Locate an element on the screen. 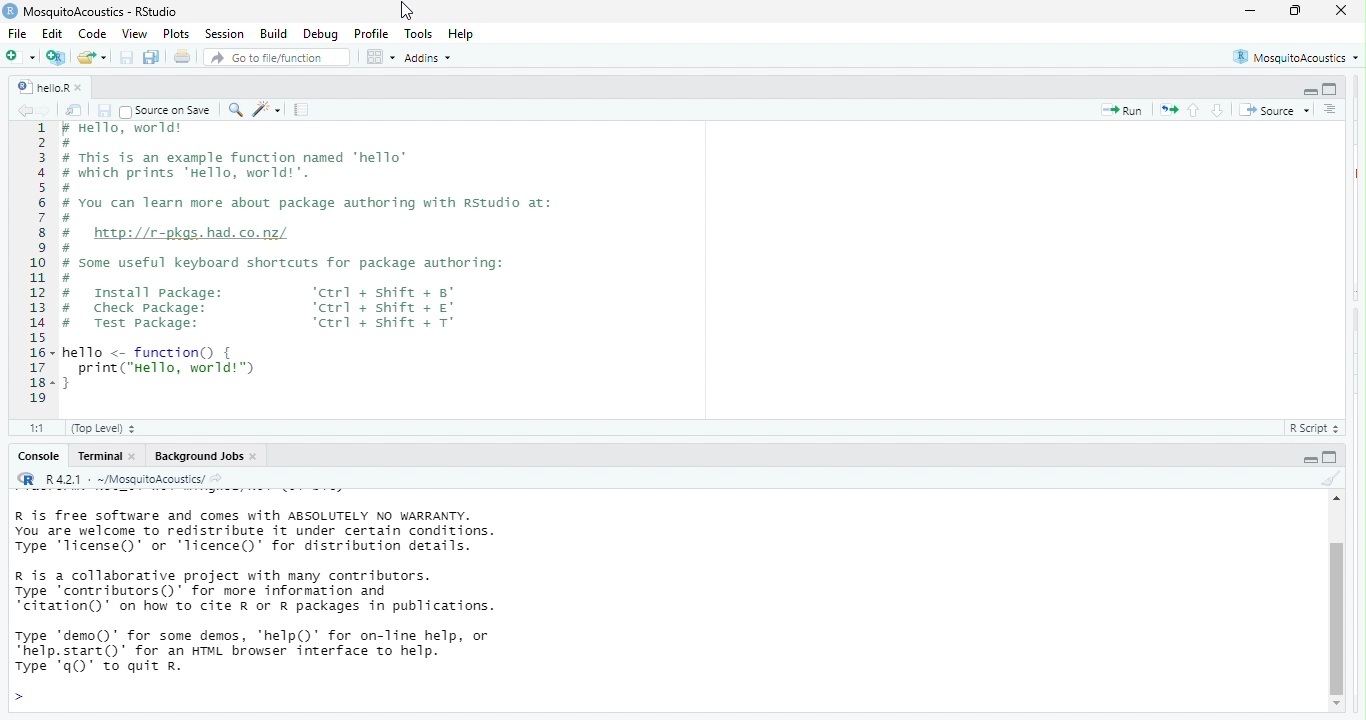 This screenshot has height=720, width=1366.  Source on Save is located at coordinates (166, 111).